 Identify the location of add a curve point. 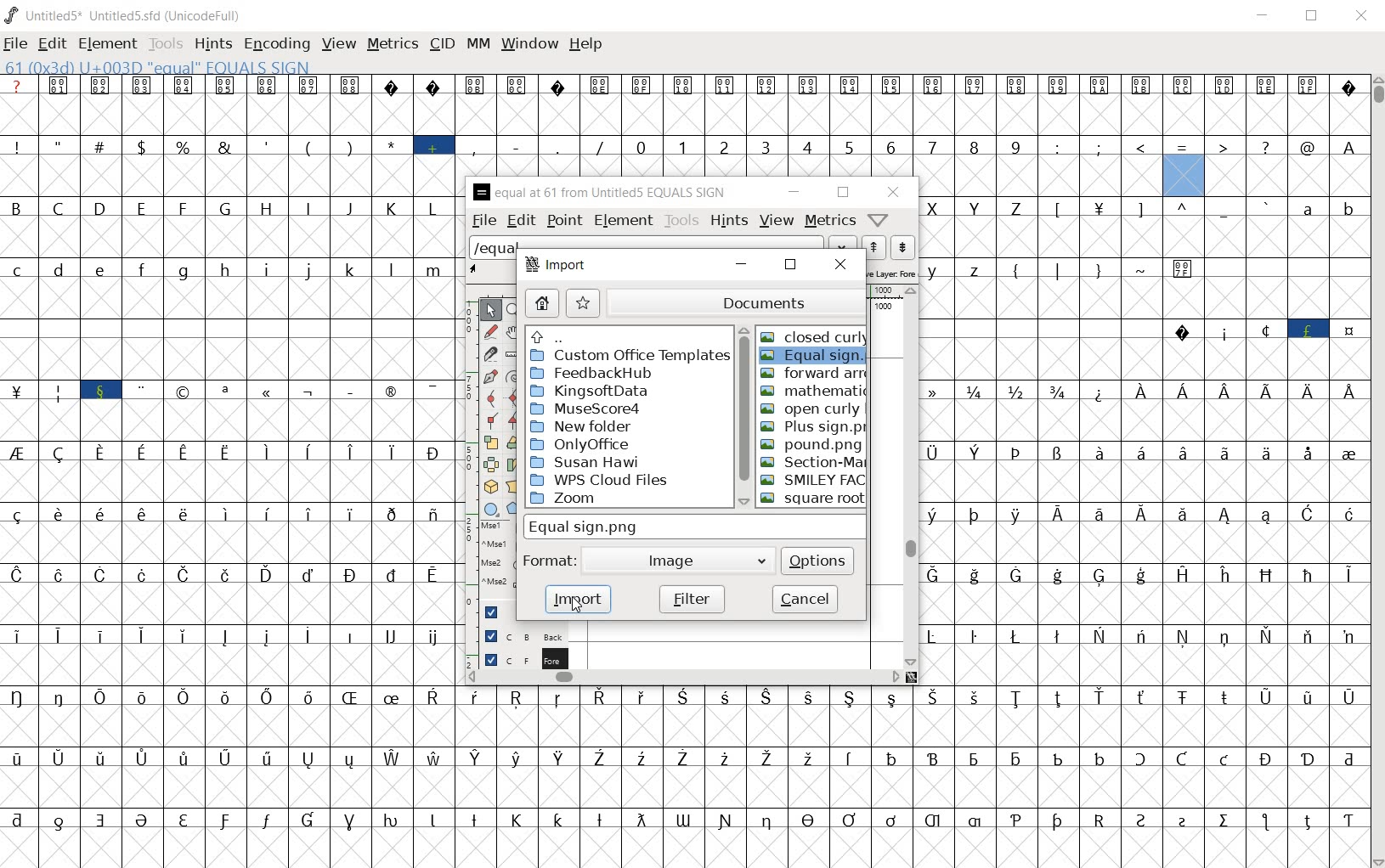
(490, 398).